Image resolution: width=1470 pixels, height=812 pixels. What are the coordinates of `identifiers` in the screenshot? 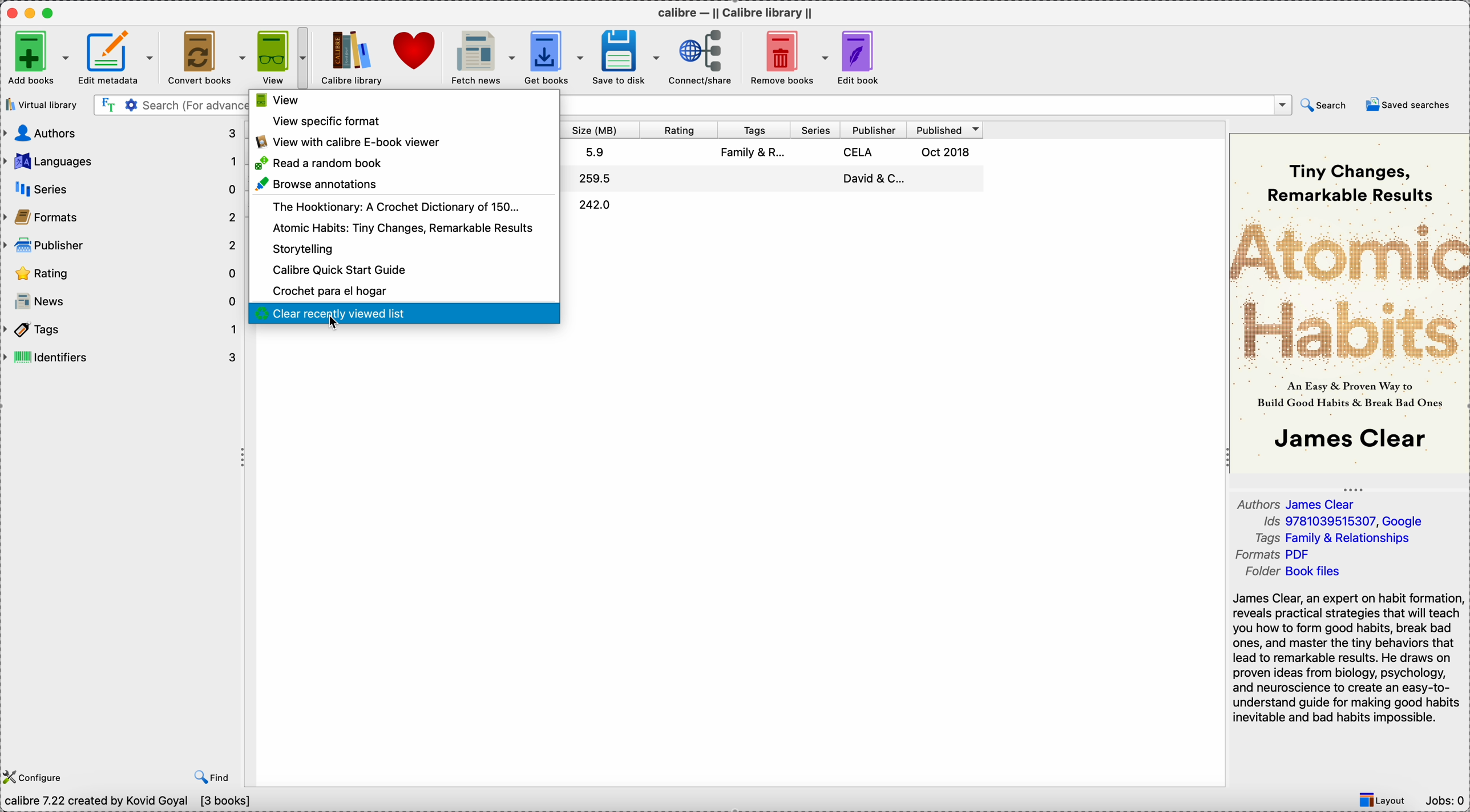 It's located at (122, 357).